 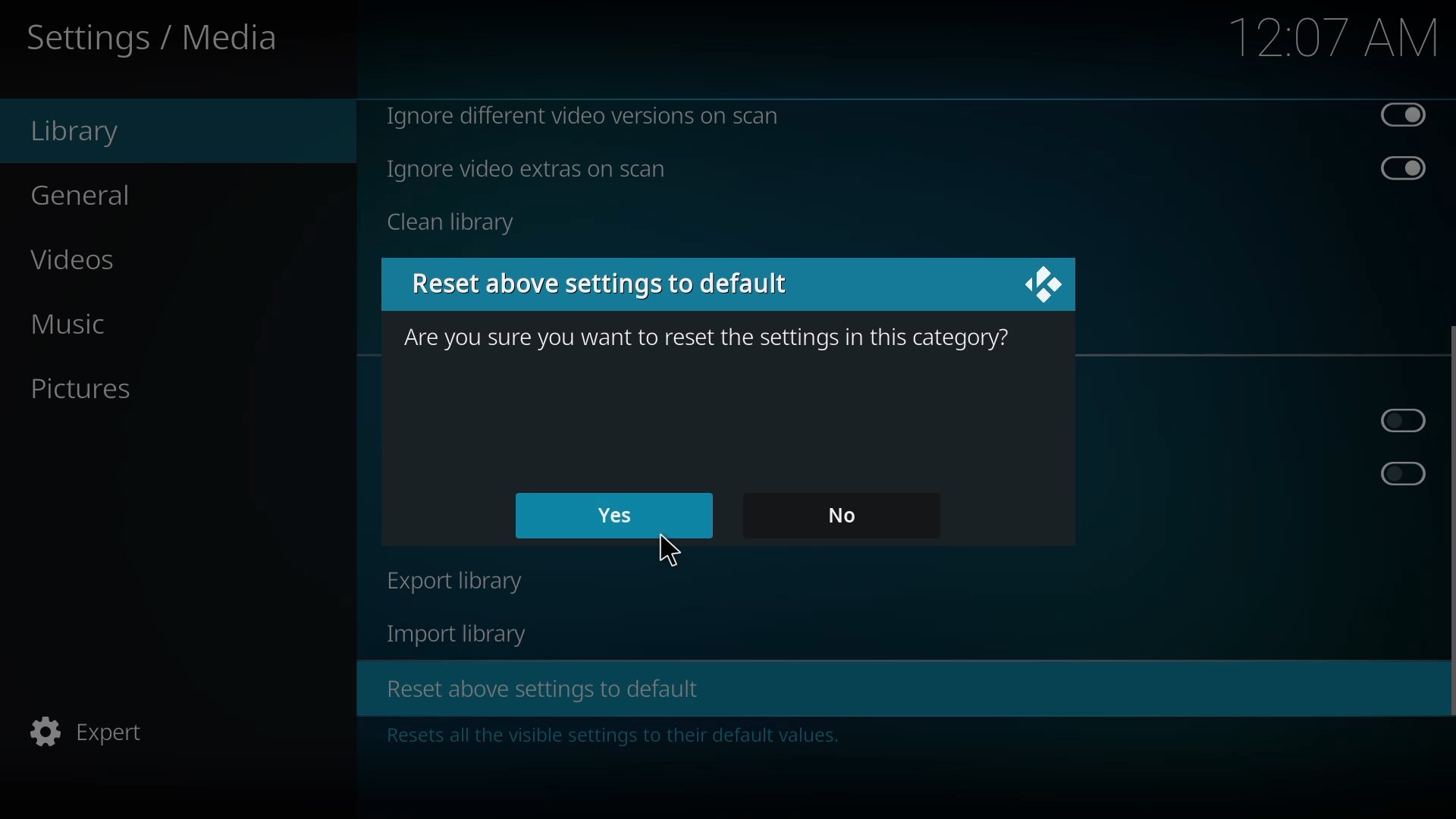 What do you see at coordinates (529, 169) in the screenshot?
I see `ignore` at bounding box center [529, 169].